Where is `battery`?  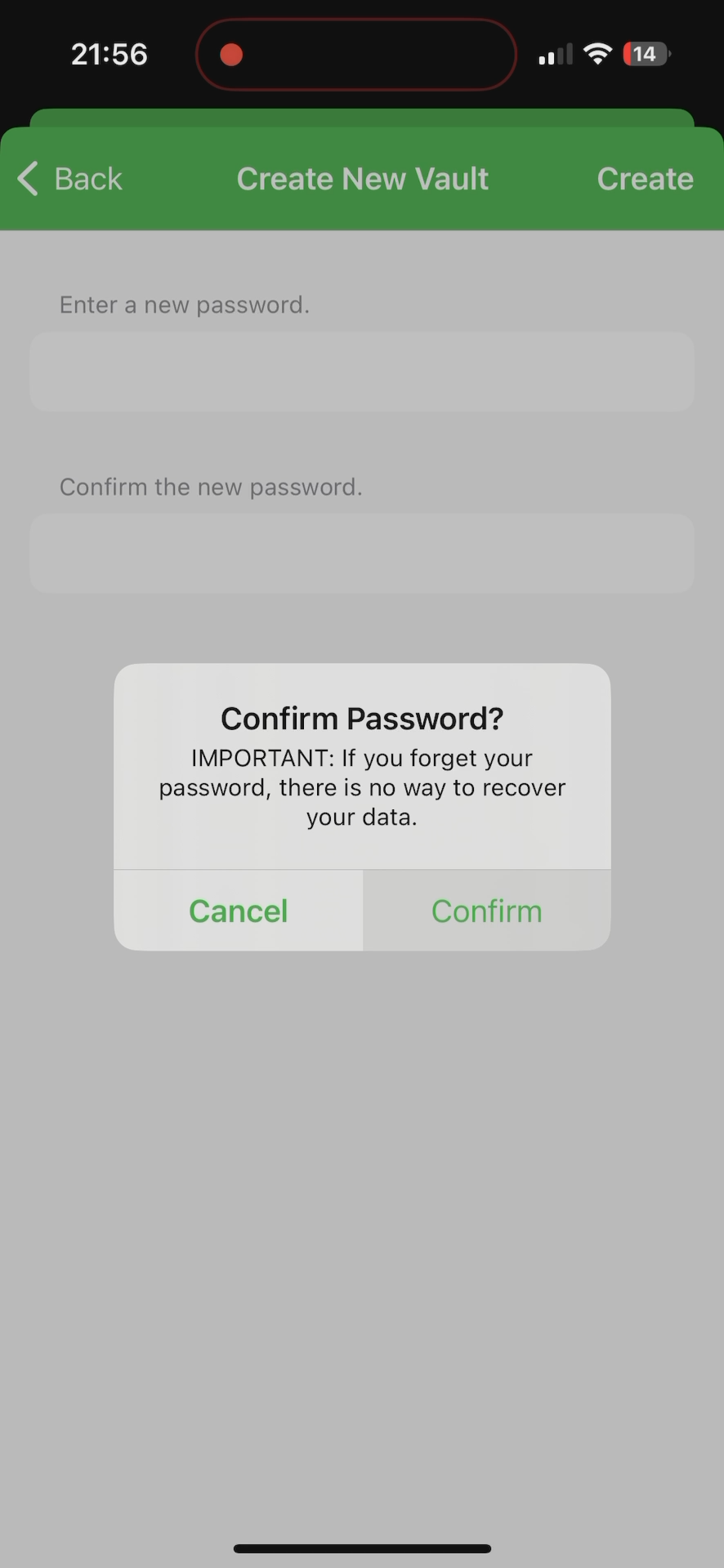 battery is located at coordinates (646, 56).